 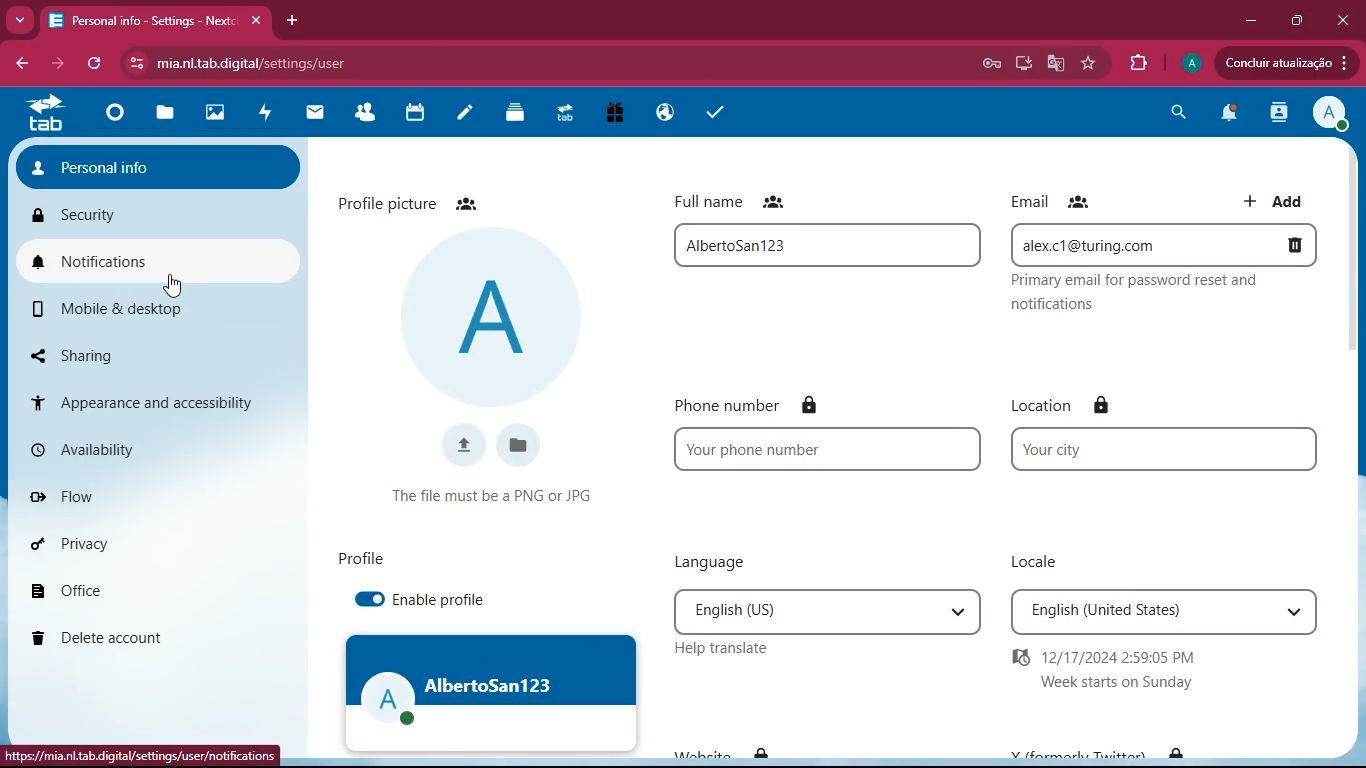 What do you see at coordinates (293, 19) in the screenshot?
I see `add tab` at bounding box center [293, 19].